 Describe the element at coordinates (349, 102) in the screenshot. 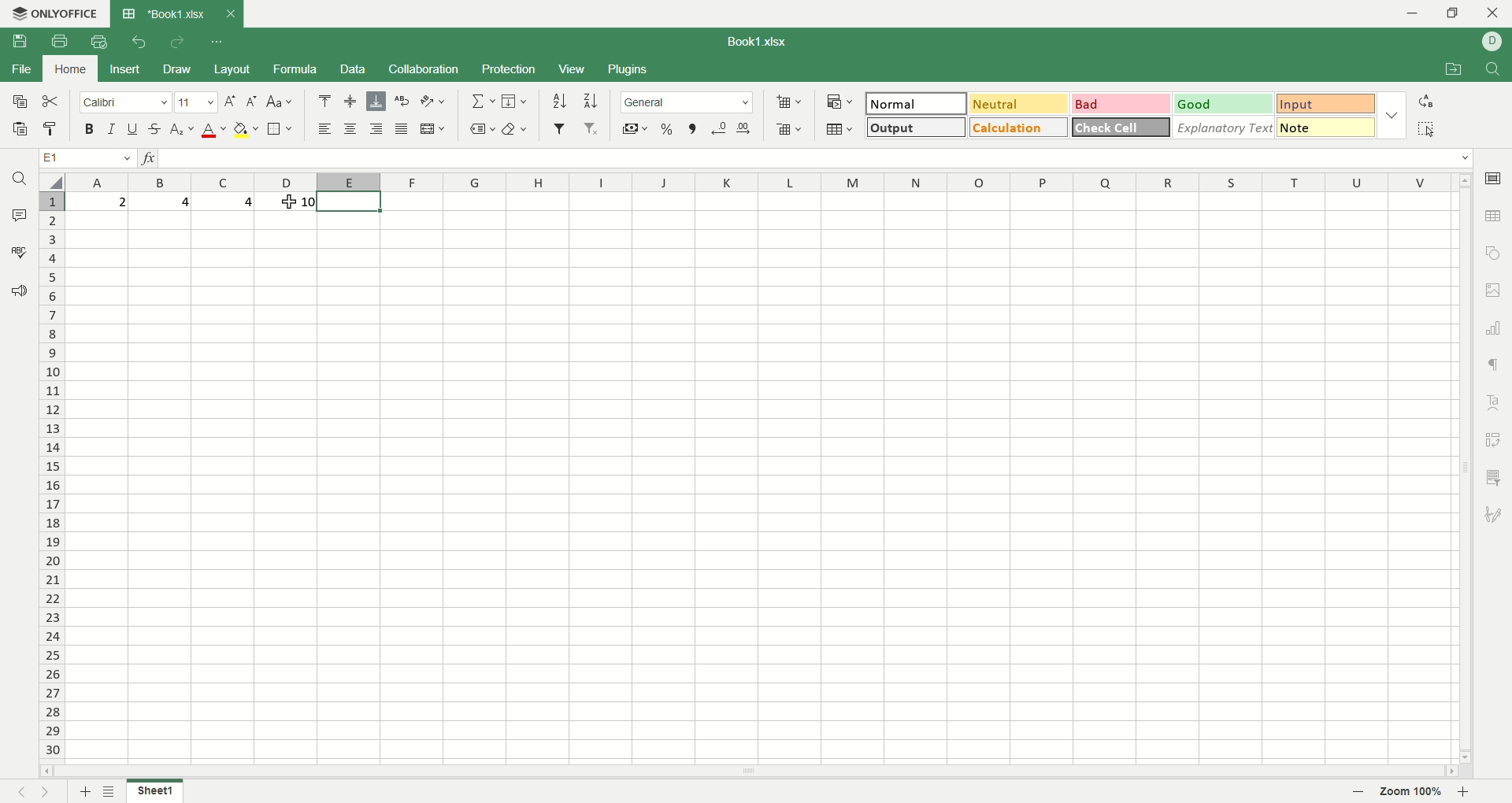

I see `align middle` at that location.